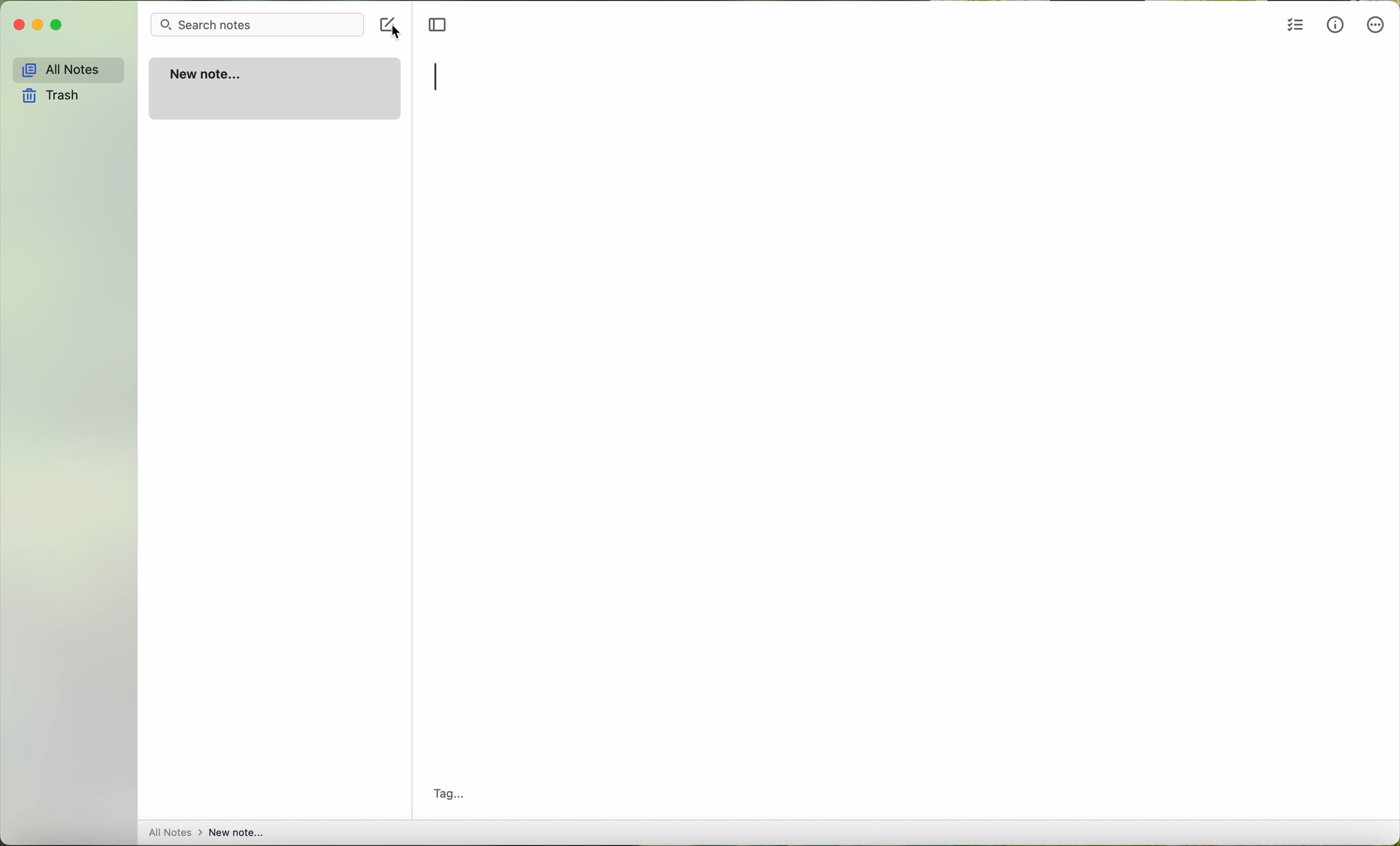 This screenshot has width=1400, height=846. What do you see at coordinates (18, 25) in the screenshot?
I see `close Simplenote` at bounding box center [18, 25].